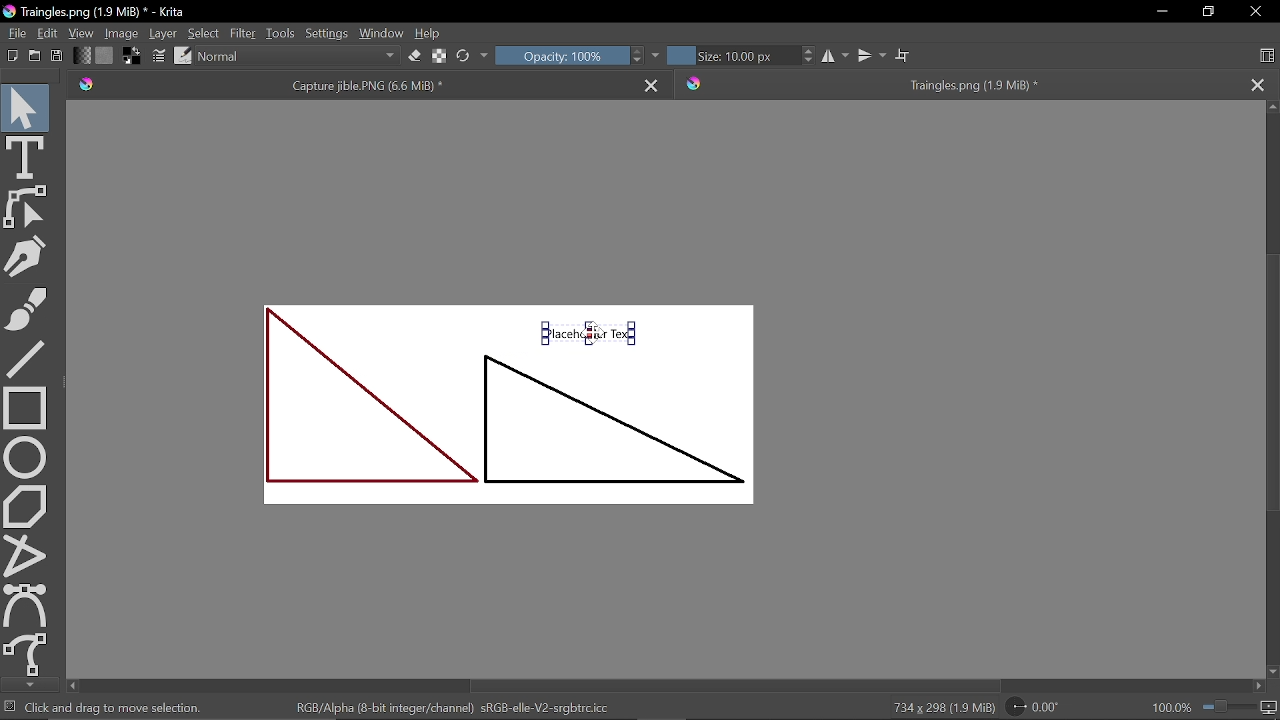 This screenshot has height=720, width=1280. Describe the element at coordinates (942, 706) in the screenshot. I see `734 x 298 (1.9 MiB)` at that location.